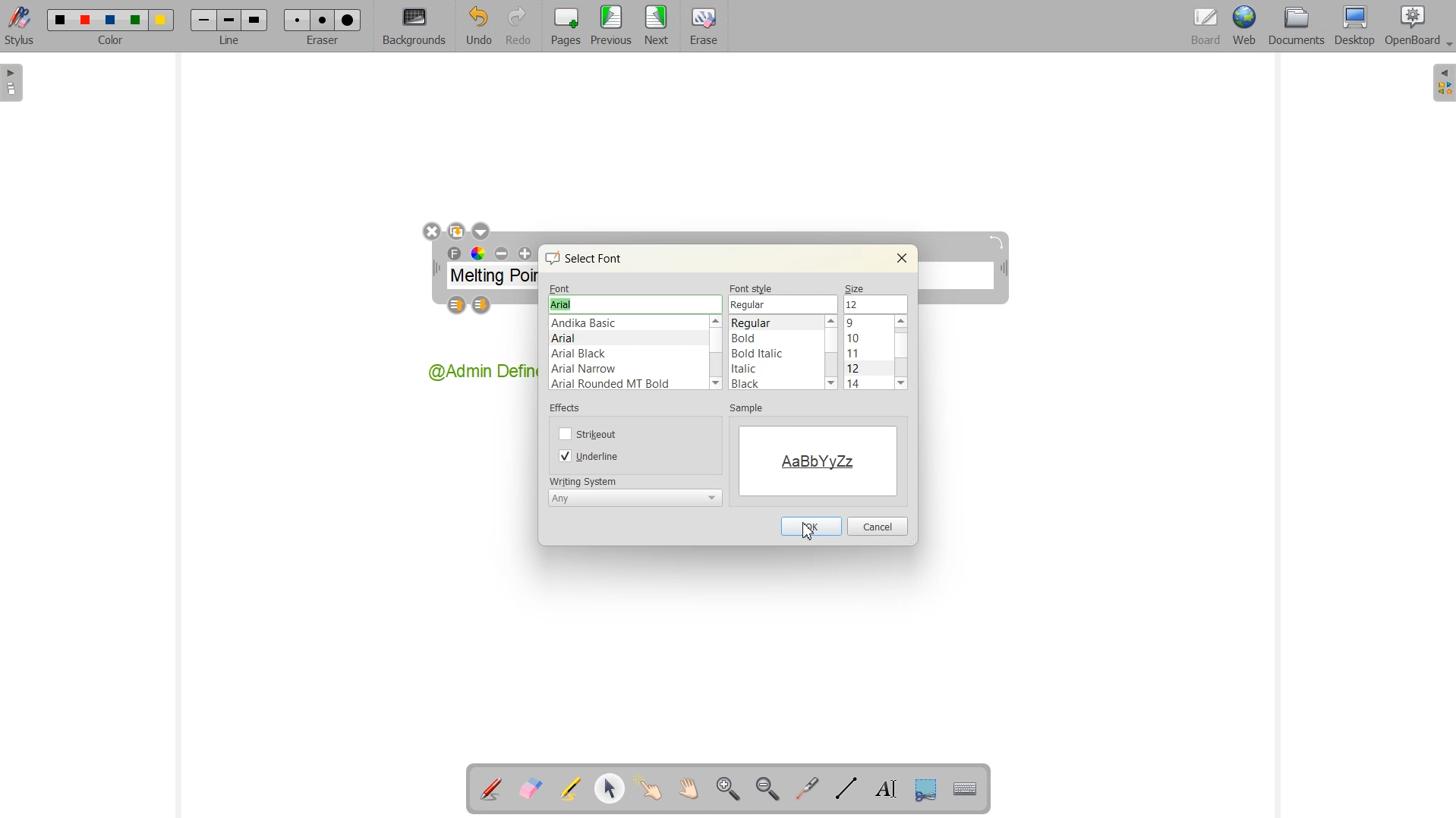 The image size is (1456, 818). What do you see at coordinates (648, 789) in the screenshot?
I see `Interact with item` at bounding box center [648, 789].